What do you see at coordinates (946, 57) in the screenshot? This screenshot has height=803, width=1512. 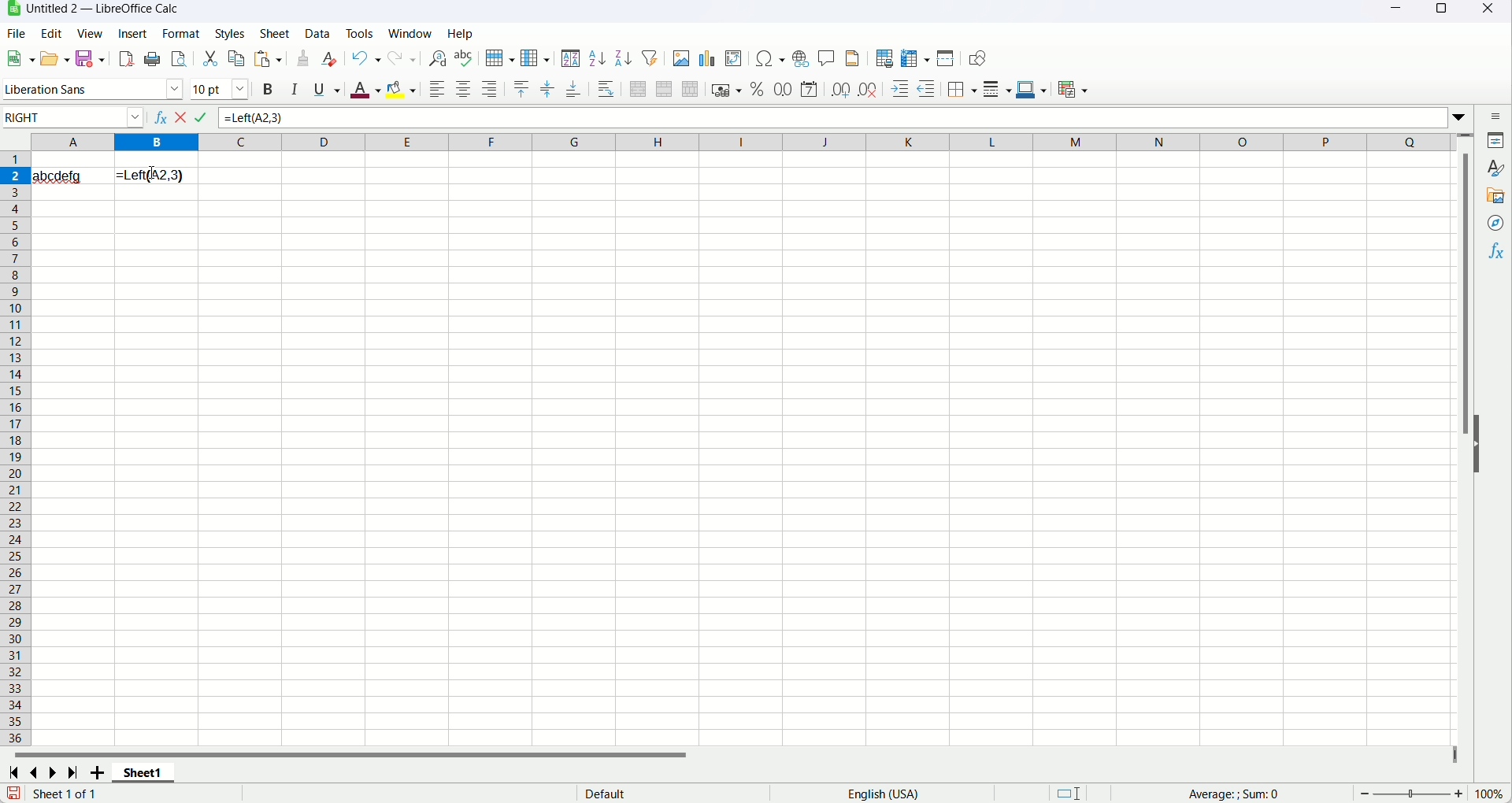 I see `split window` at bounding box center [946, 57].